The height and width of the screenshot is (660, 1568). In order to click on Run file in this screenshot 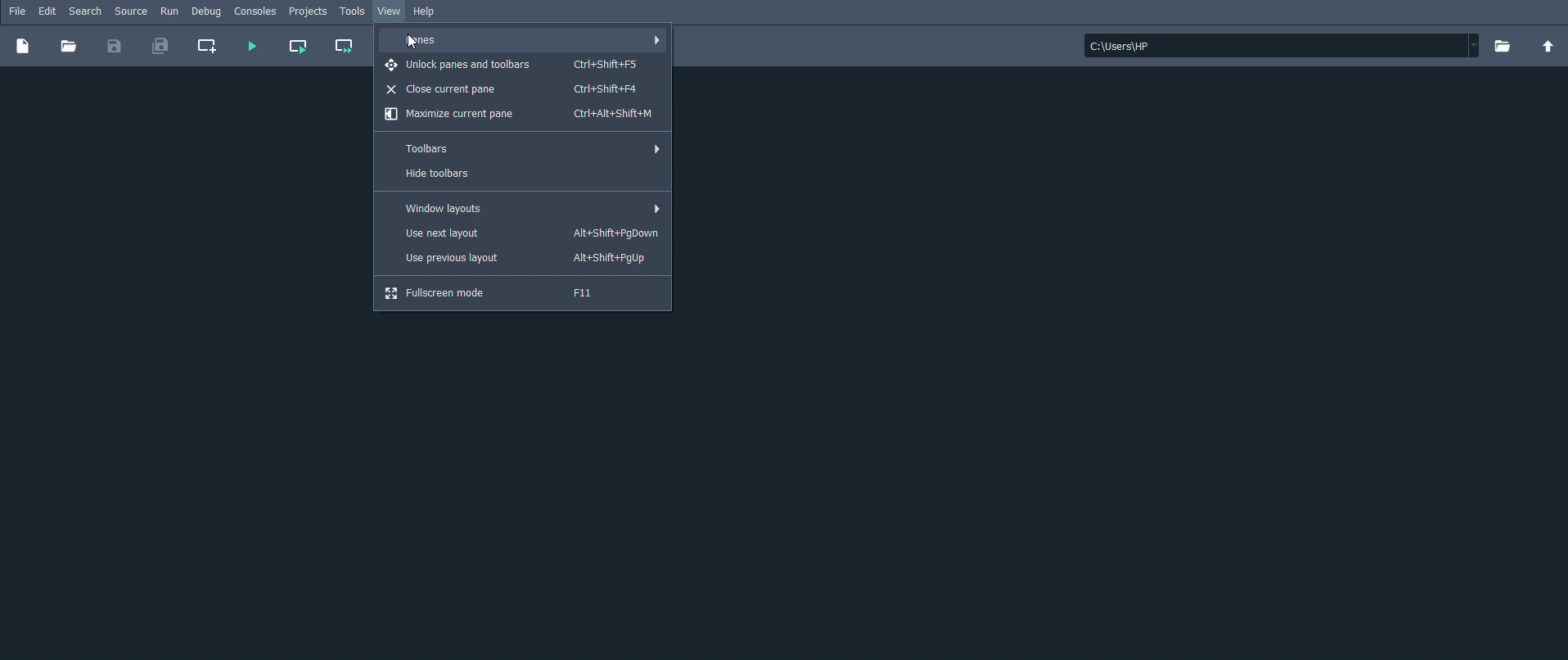, I will do `click(251, 47)`.